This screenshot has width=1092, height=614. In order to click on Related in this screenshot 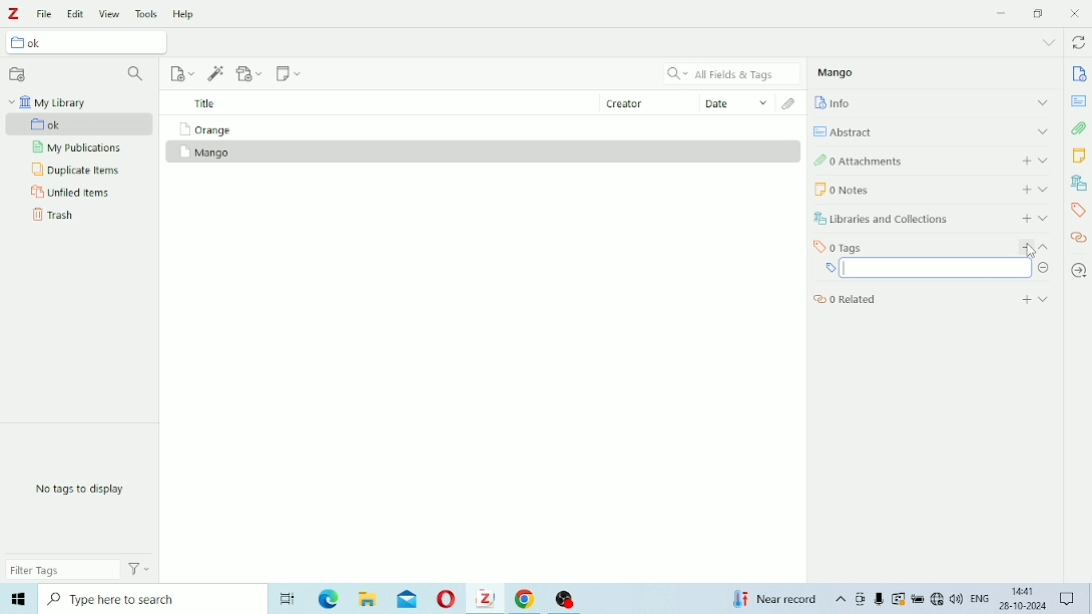, I will do `click(938, 299)`.